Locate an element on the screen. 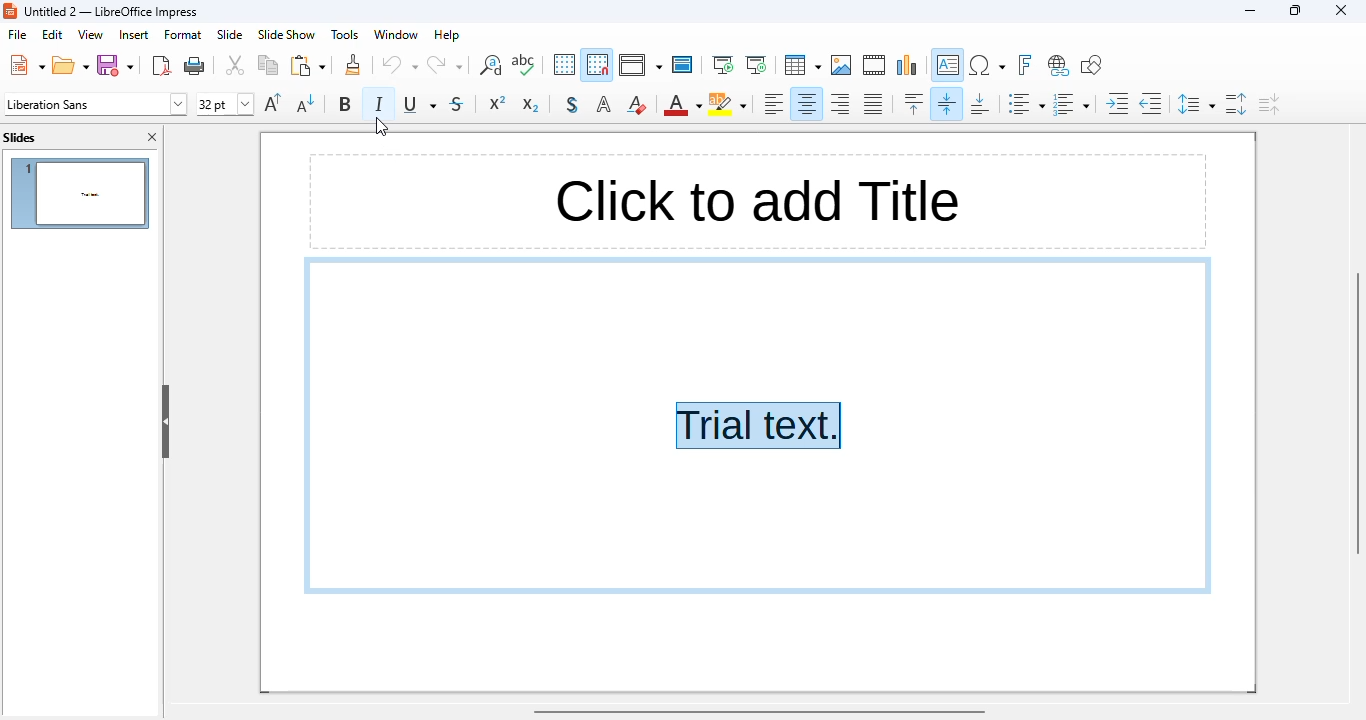  slide 1 is located at coordinates (79, 193).